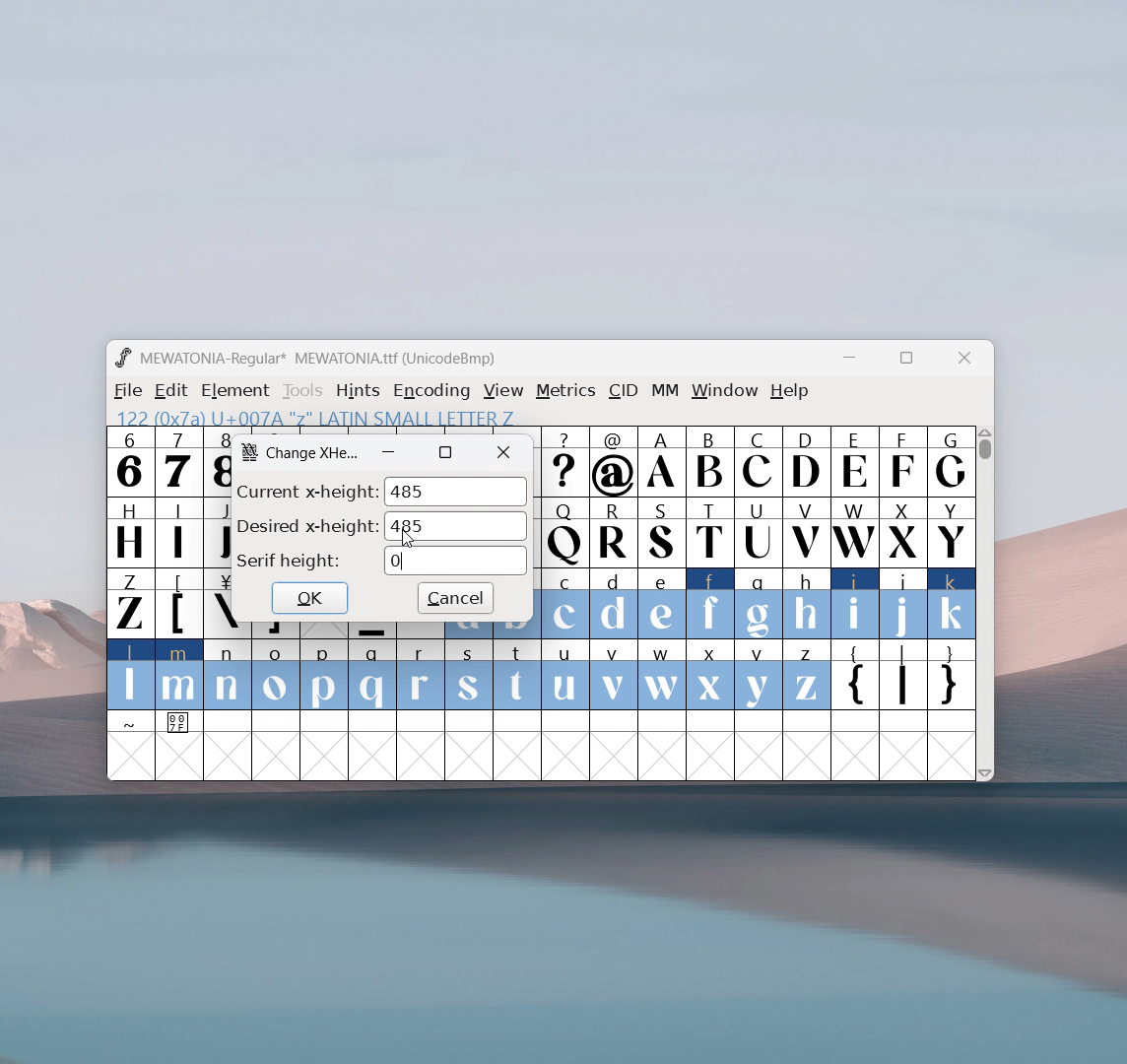  What do you see at coordinates (854, 677) in the screenshot?
I see `{` at bounding box center [854, 677].